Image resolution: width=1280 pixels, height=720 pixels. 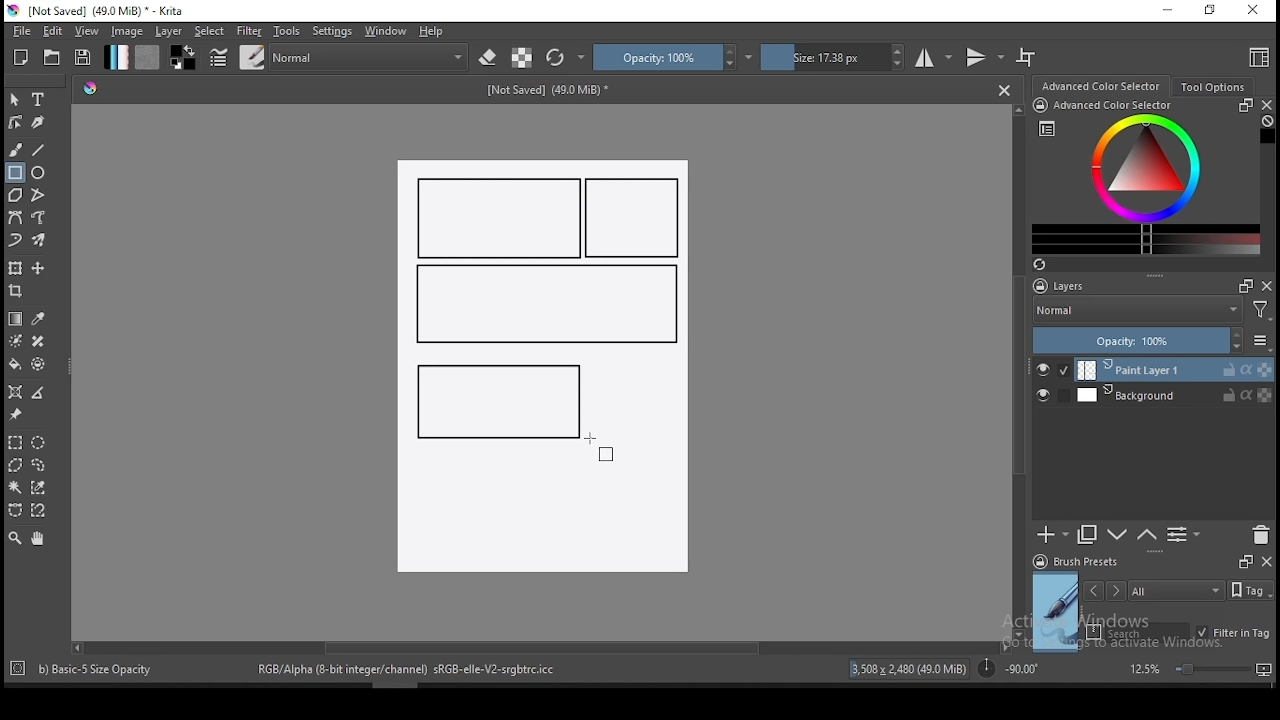 I want to click on brushes, so click(x=252, y=57).